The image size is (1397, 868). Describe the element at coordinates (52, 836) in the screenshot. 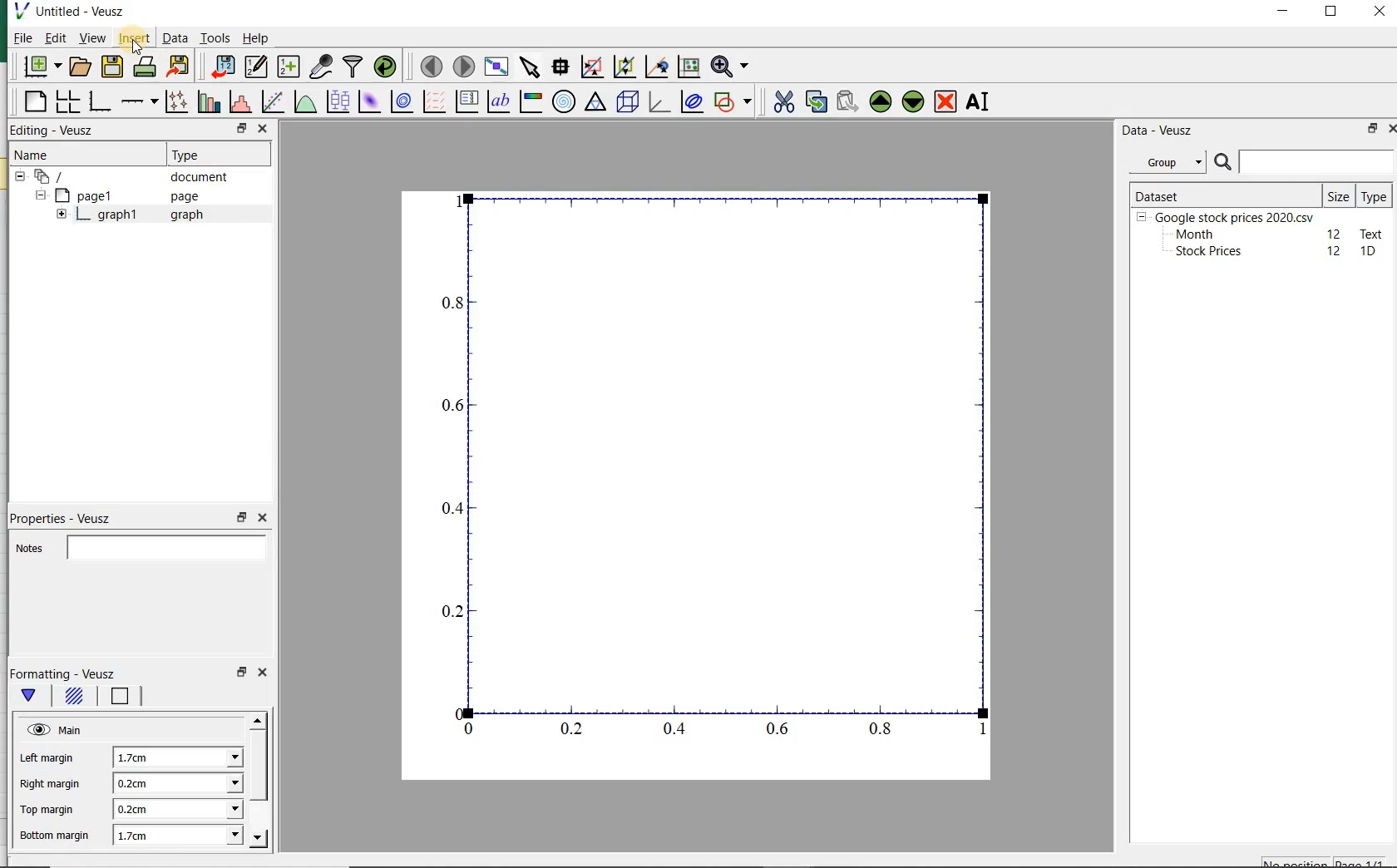

I see `Bottom margin` at that location.